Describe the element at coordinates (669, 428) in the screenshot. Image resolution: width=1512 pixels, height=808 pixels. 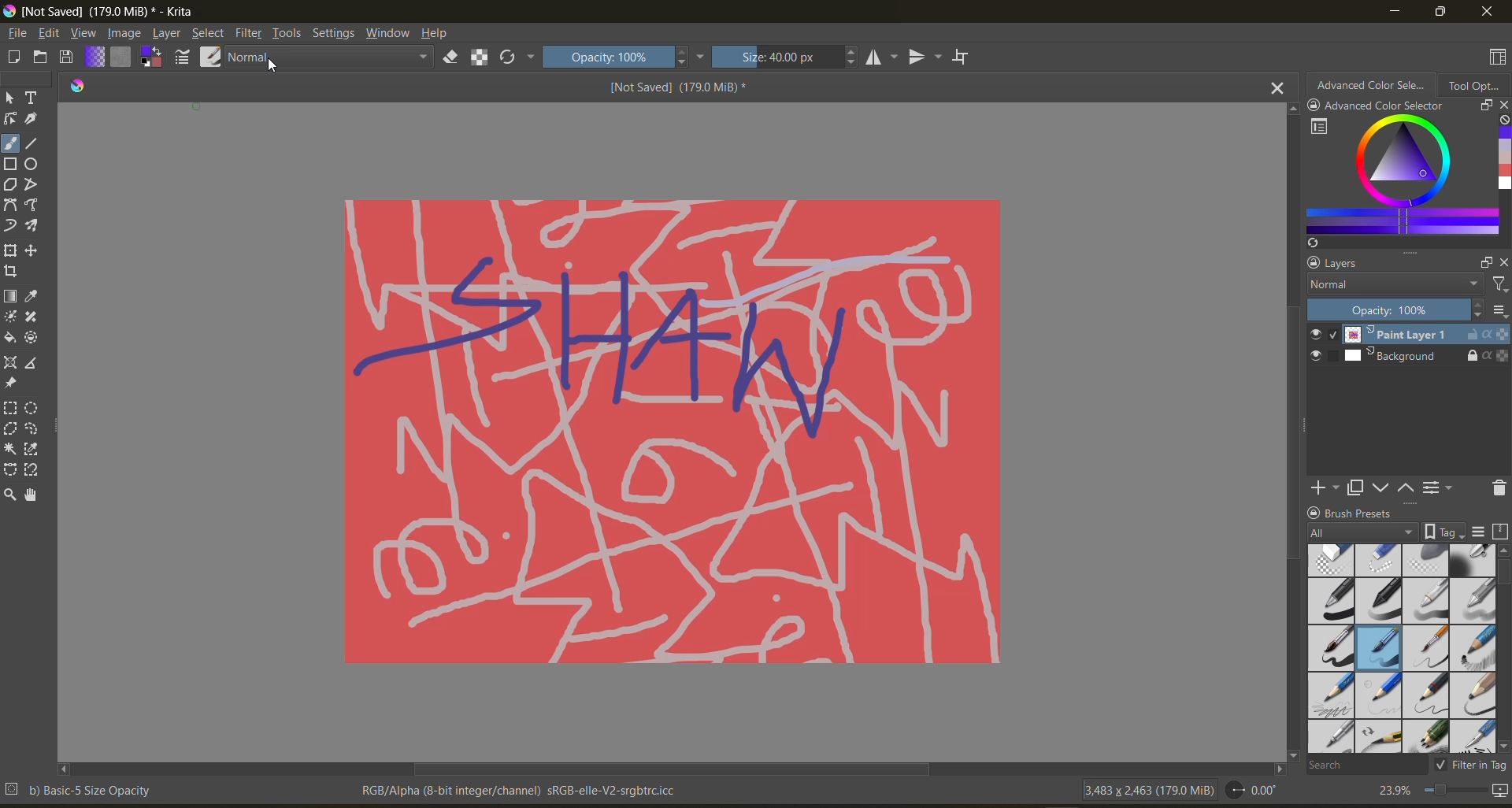
I see `canvas after undoing the last action` at that location.